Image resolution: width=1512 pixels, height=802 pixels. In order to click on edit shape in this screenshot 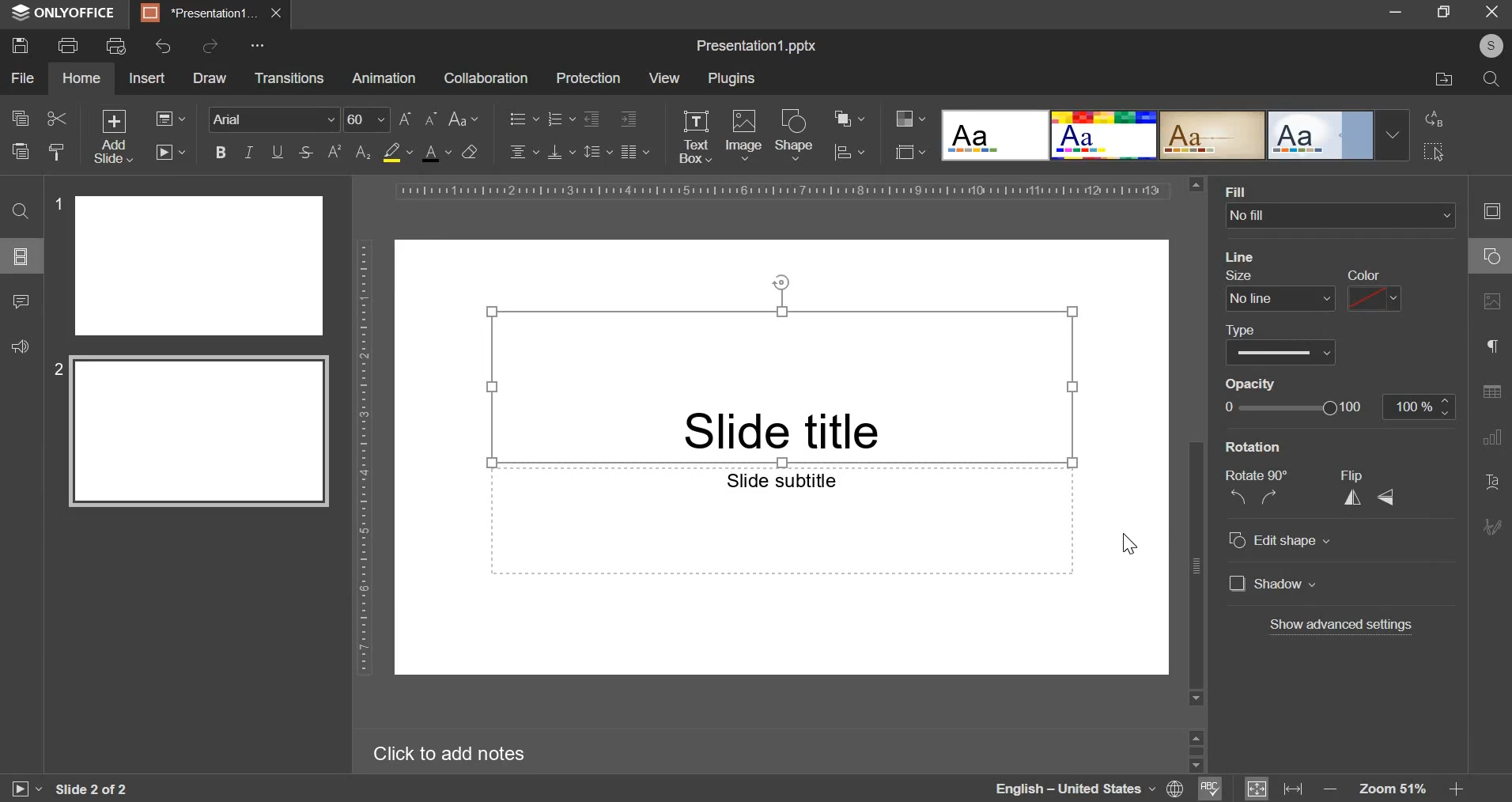, I will do `click(1278, 539)`.